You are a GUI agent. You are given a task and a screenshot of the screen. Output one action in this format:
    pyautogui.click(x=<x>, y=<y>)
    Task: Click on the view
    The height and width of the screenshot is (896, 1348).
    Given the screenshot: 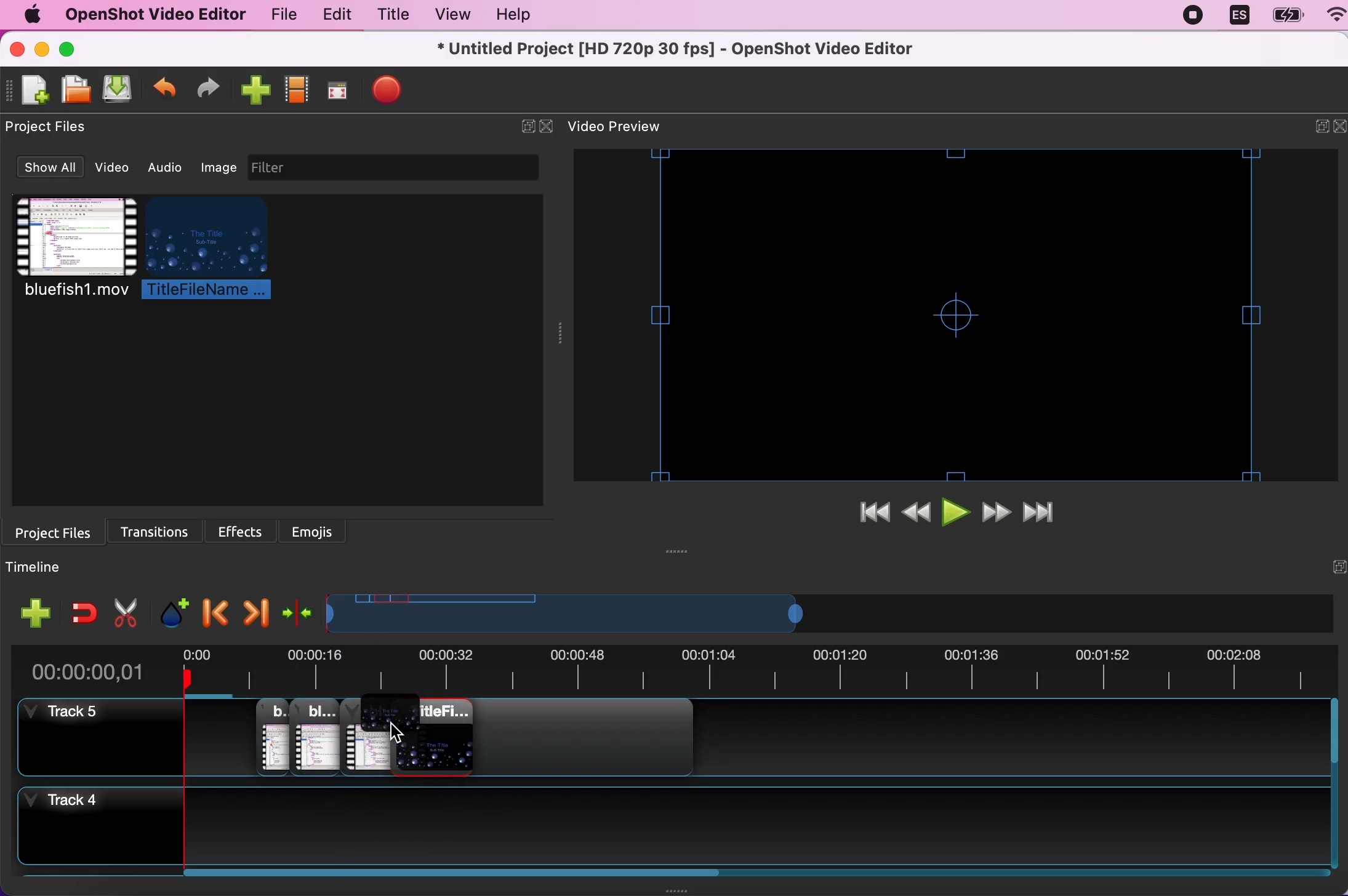 What is the action you would take?
    pyautogui.click(x=448, y=15)
    